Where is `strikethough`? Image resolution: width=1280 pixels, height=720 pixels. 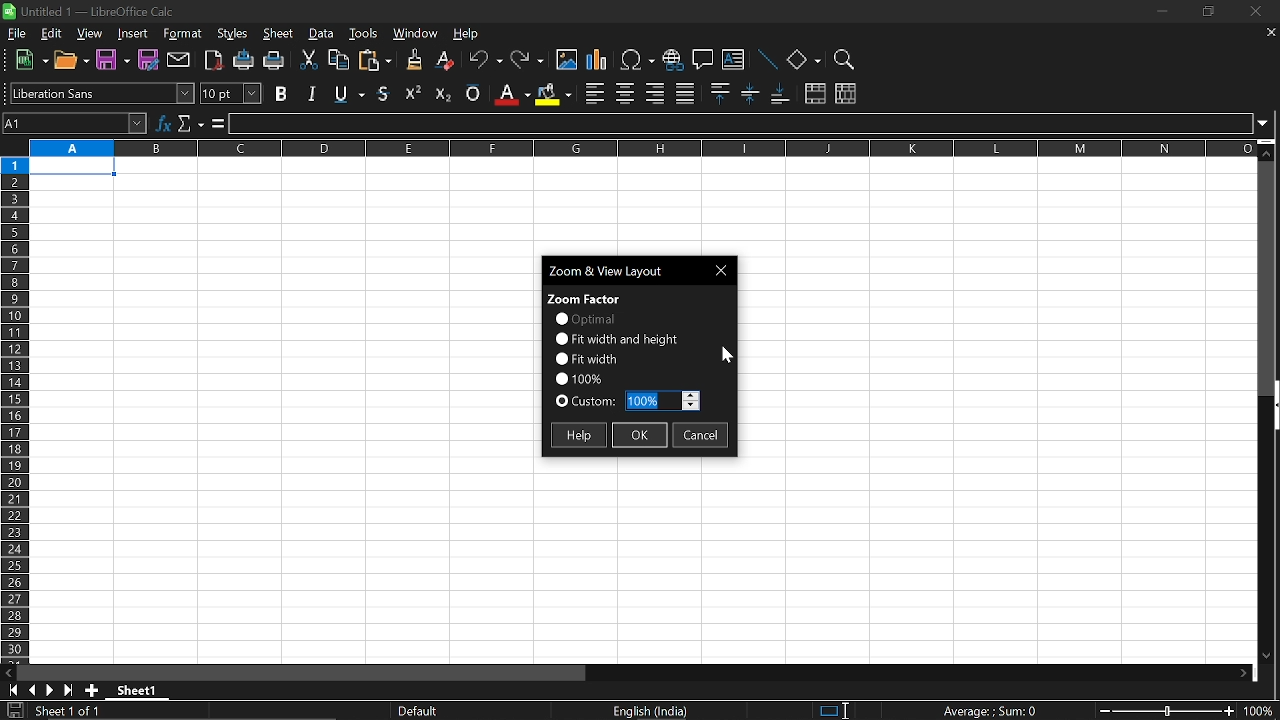 strikethough is located at coordinates (350, 92).